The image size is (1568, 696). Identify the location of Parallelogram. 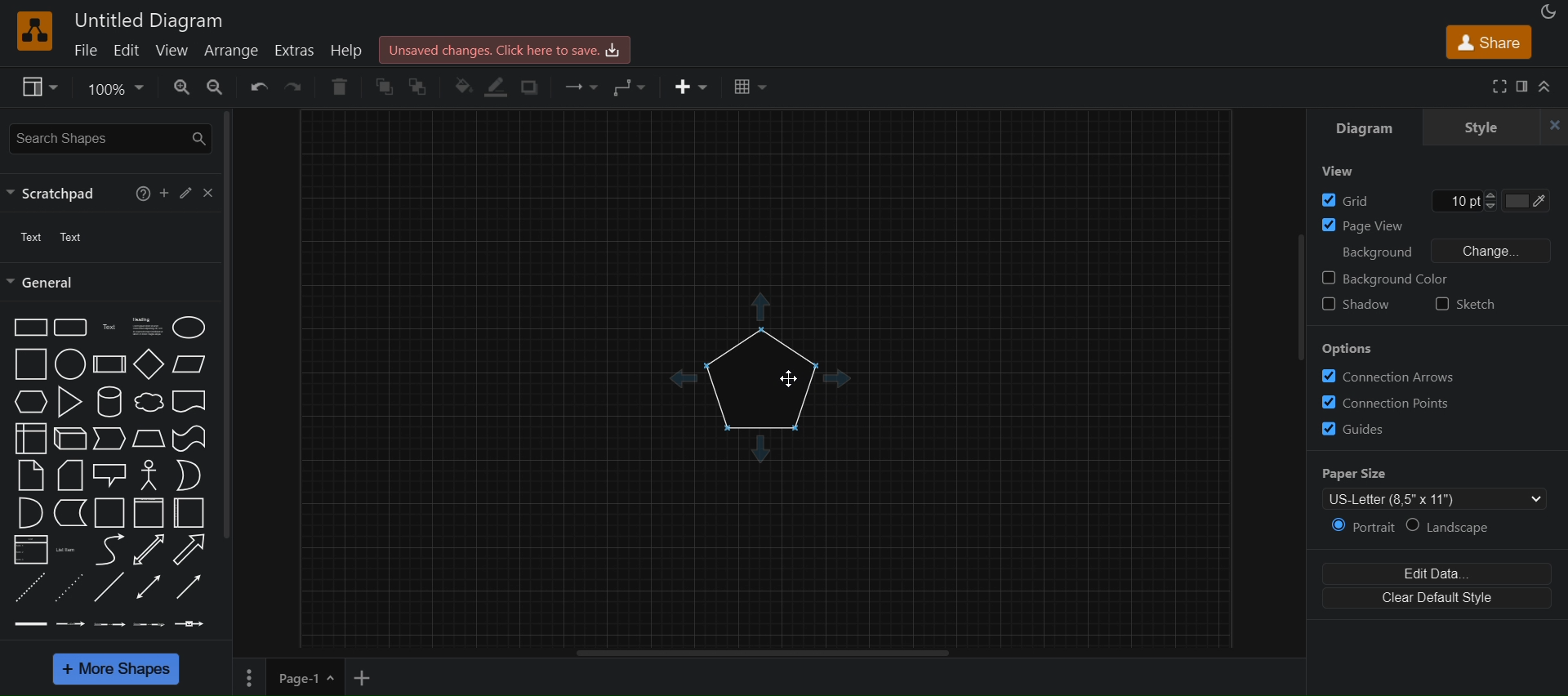
(189, 364).